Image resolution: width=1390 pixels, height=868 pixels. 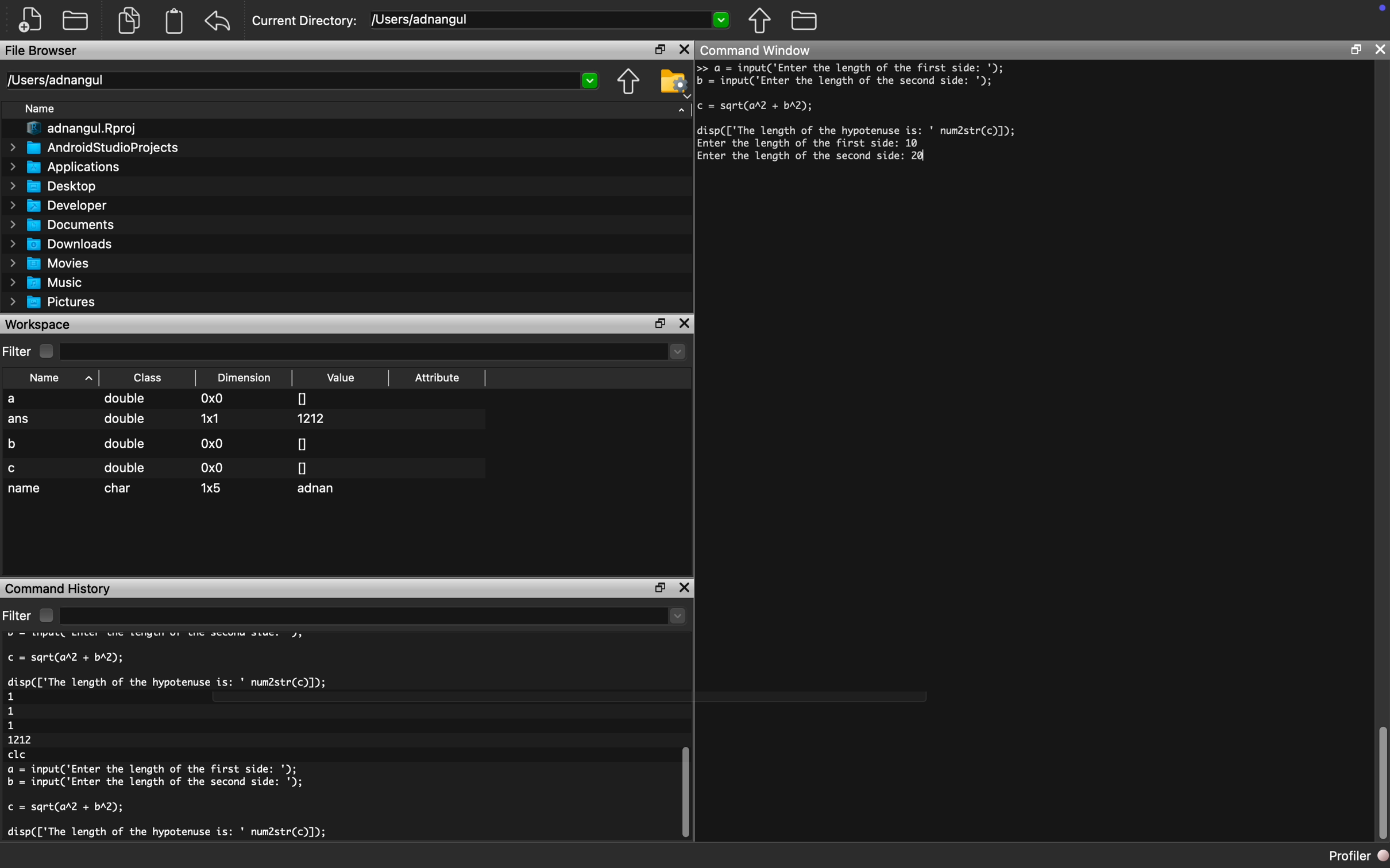 What do you see at coordinates (682, 108) in the screenshot?
I see `dropdown` at bounding box center [682, 108].